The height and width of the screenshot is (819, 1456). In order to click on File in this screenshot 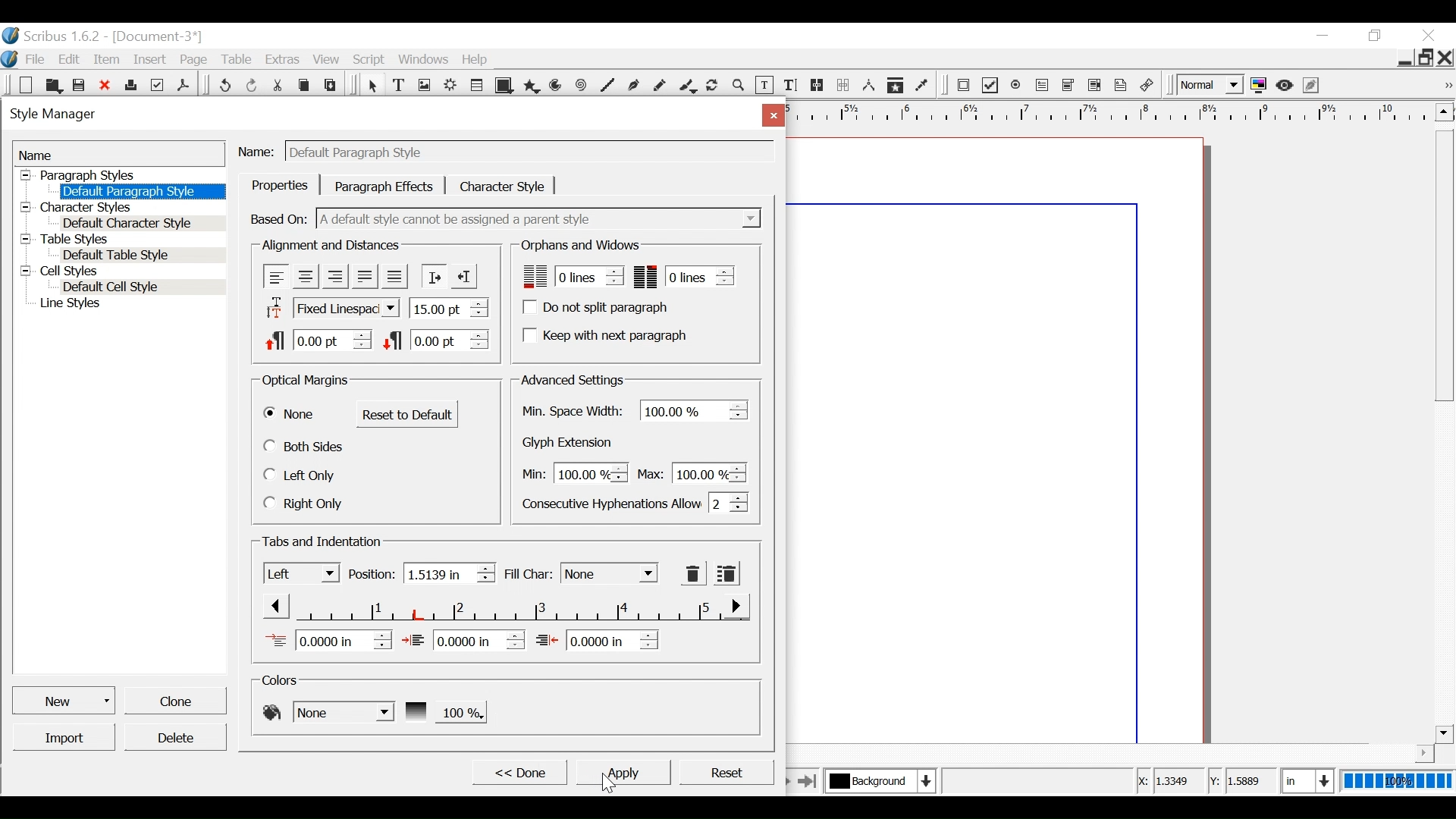, I will do `click(35, 59)`.